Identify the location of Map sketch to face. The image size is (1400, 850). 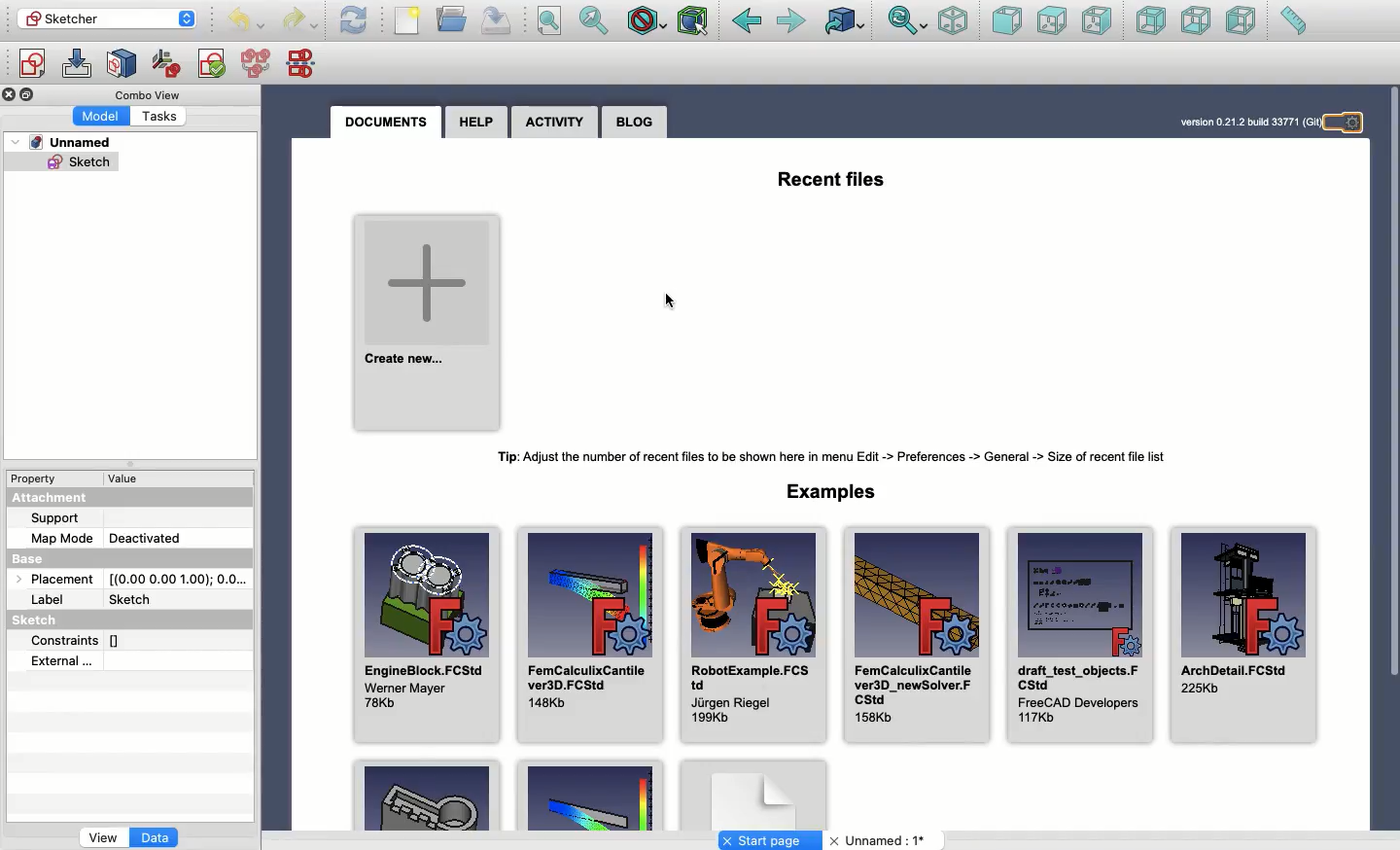
(125, 63).